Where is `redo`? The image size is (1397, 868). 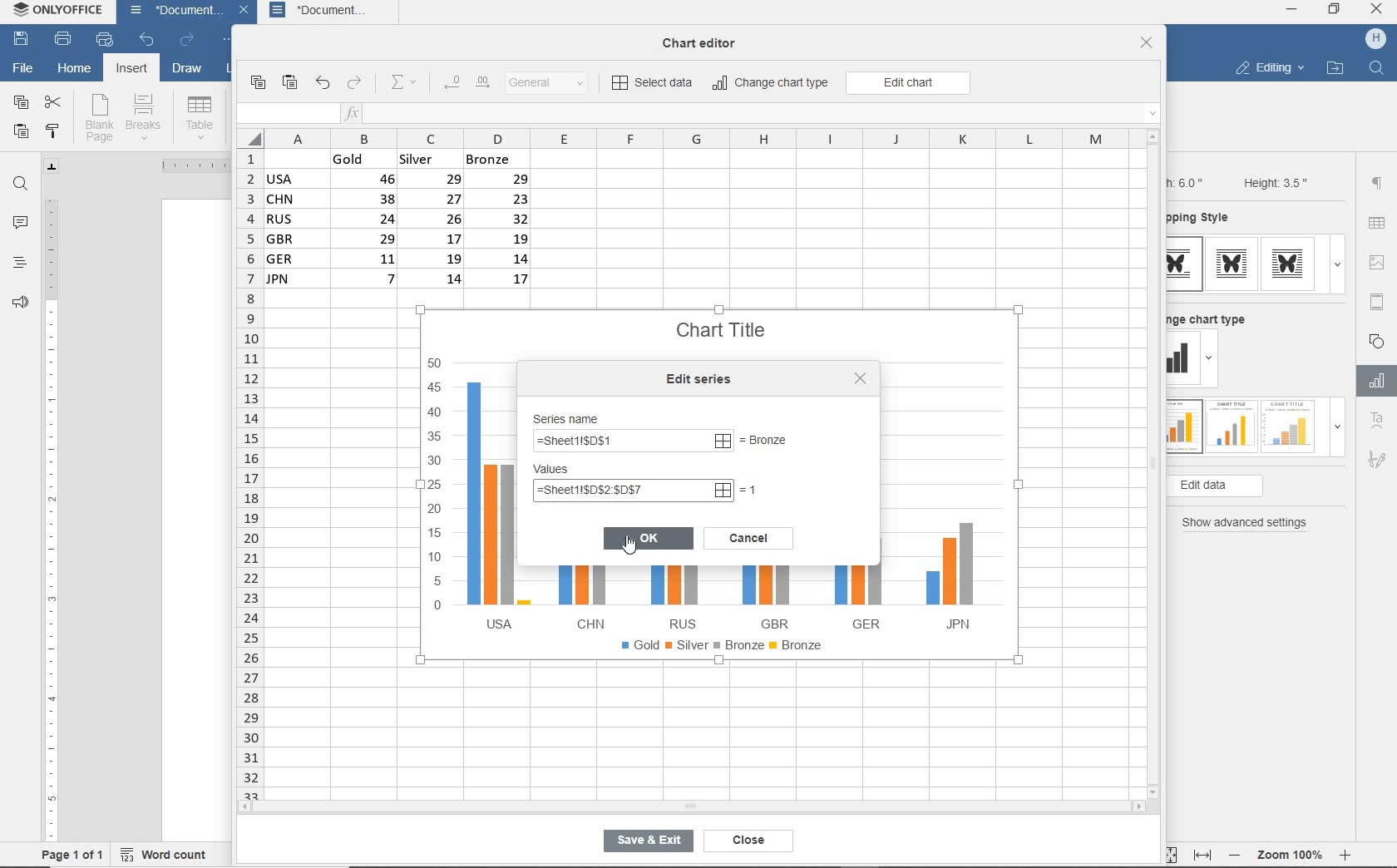
redo is located at coordinates (186, 41).